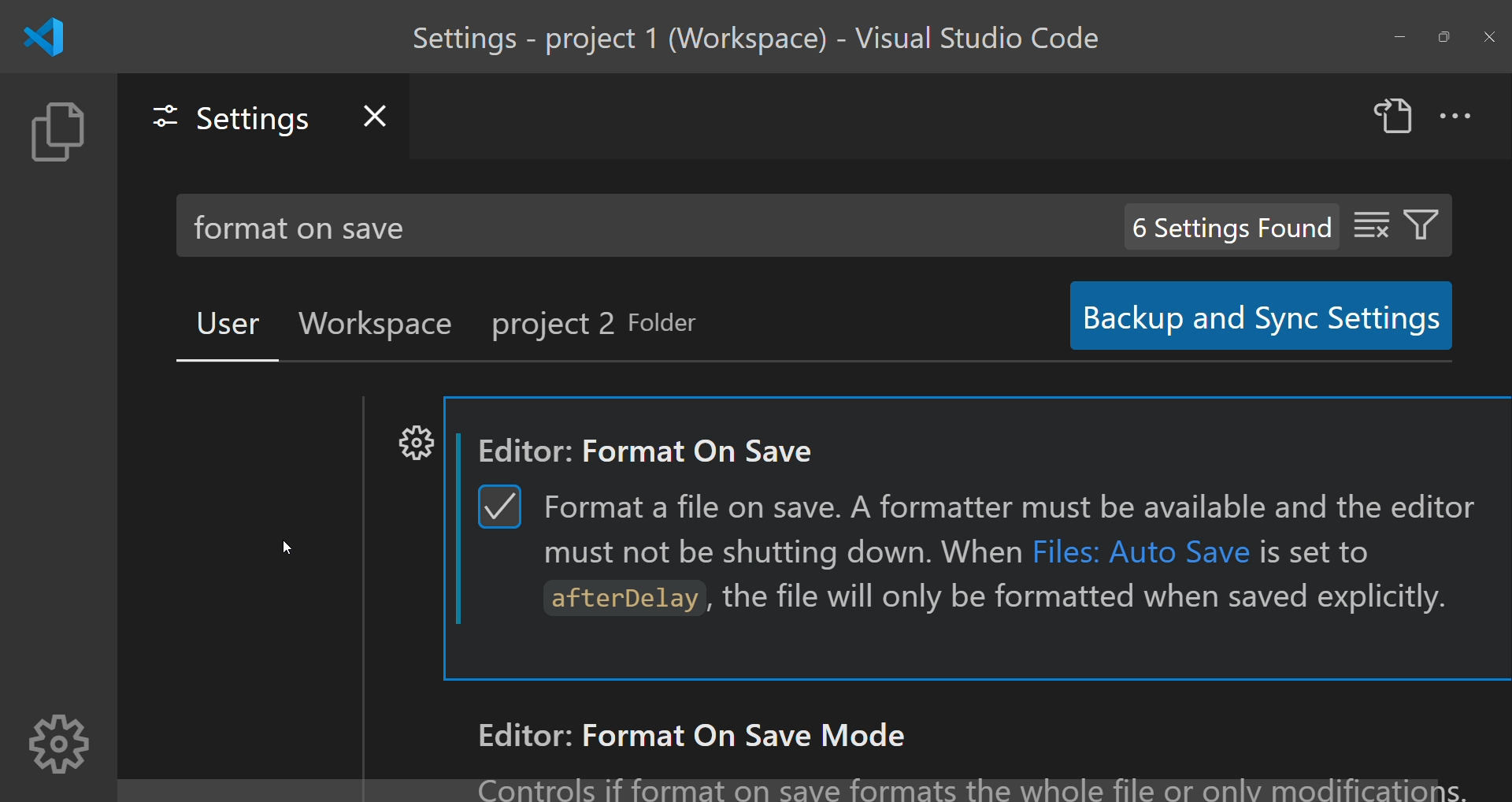 The image size is (1512, 802). Describe the element at coordinates (221, 322) in the screenshot. I see `user` at that location.